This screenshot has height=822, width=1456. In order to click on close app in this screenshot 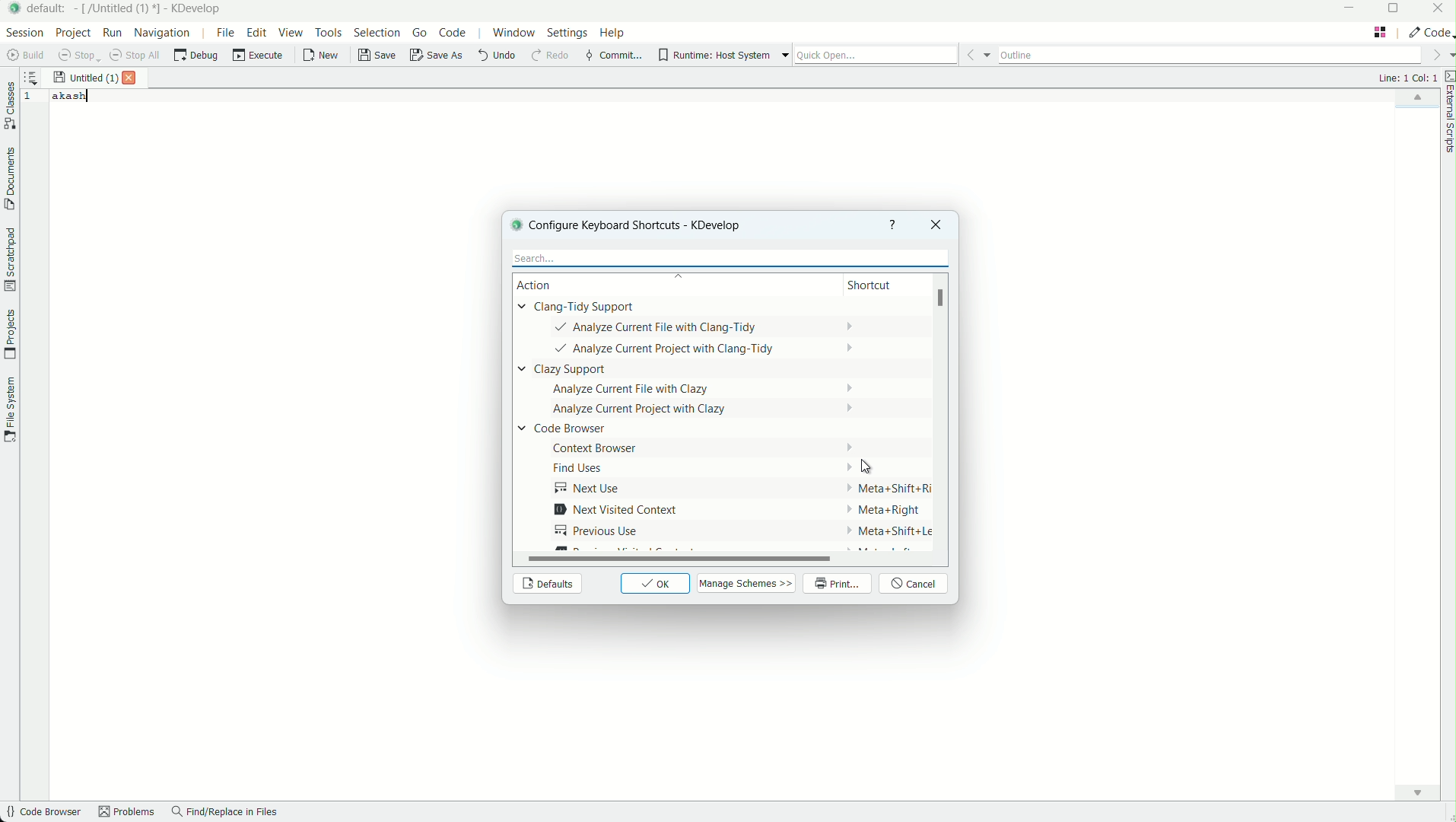, I will do `click(1439, 10)`.